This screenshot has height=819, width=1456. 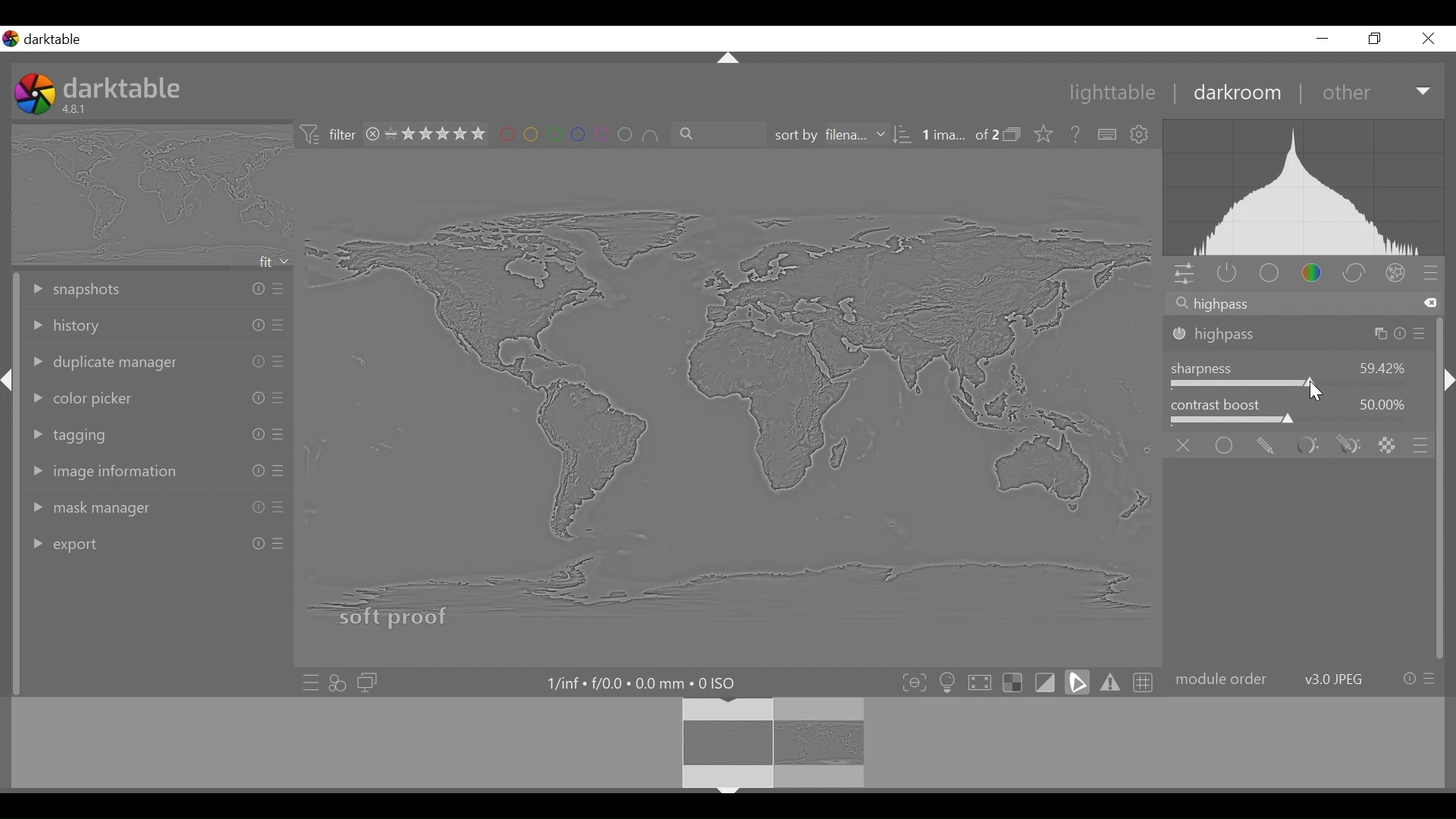 What do you see at coordinates (717, 397) in the screenshot?
I see `Image` at bounding box center [717, 397].